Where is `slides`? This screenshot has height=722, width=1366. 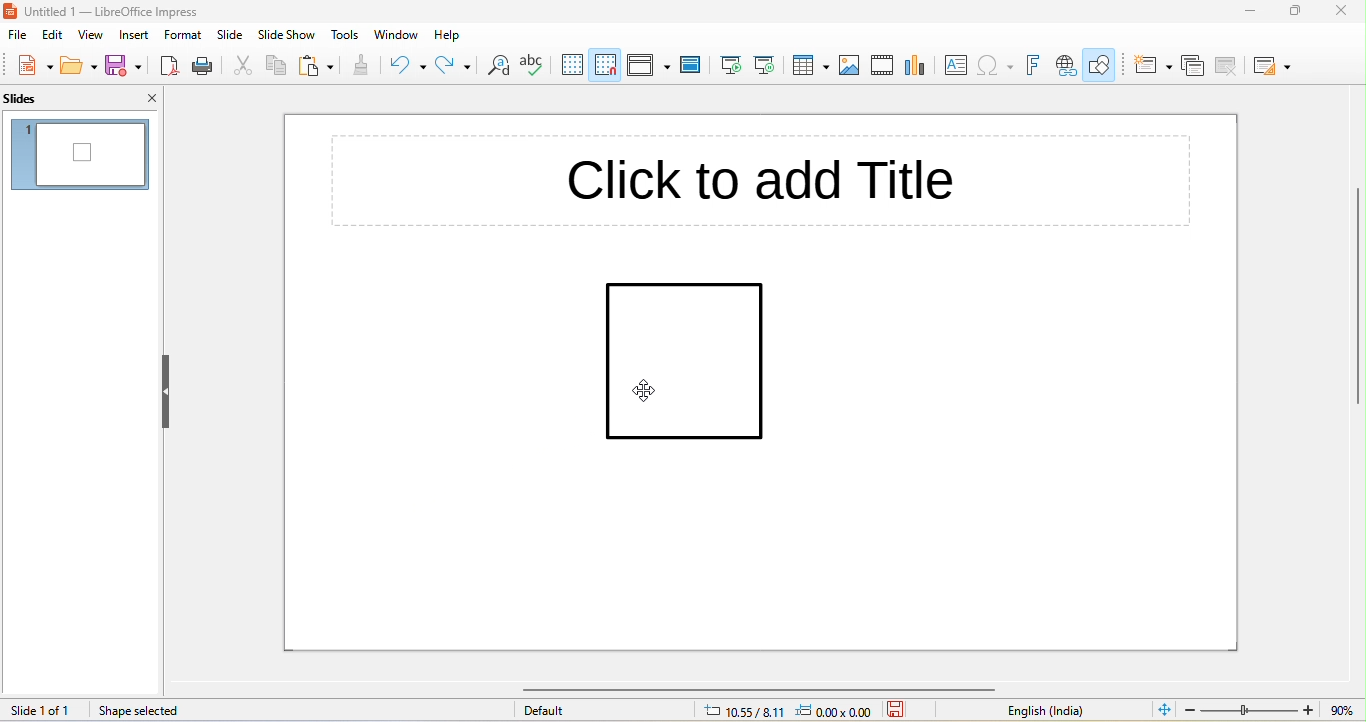
slides is located at coordinates (50, 97).